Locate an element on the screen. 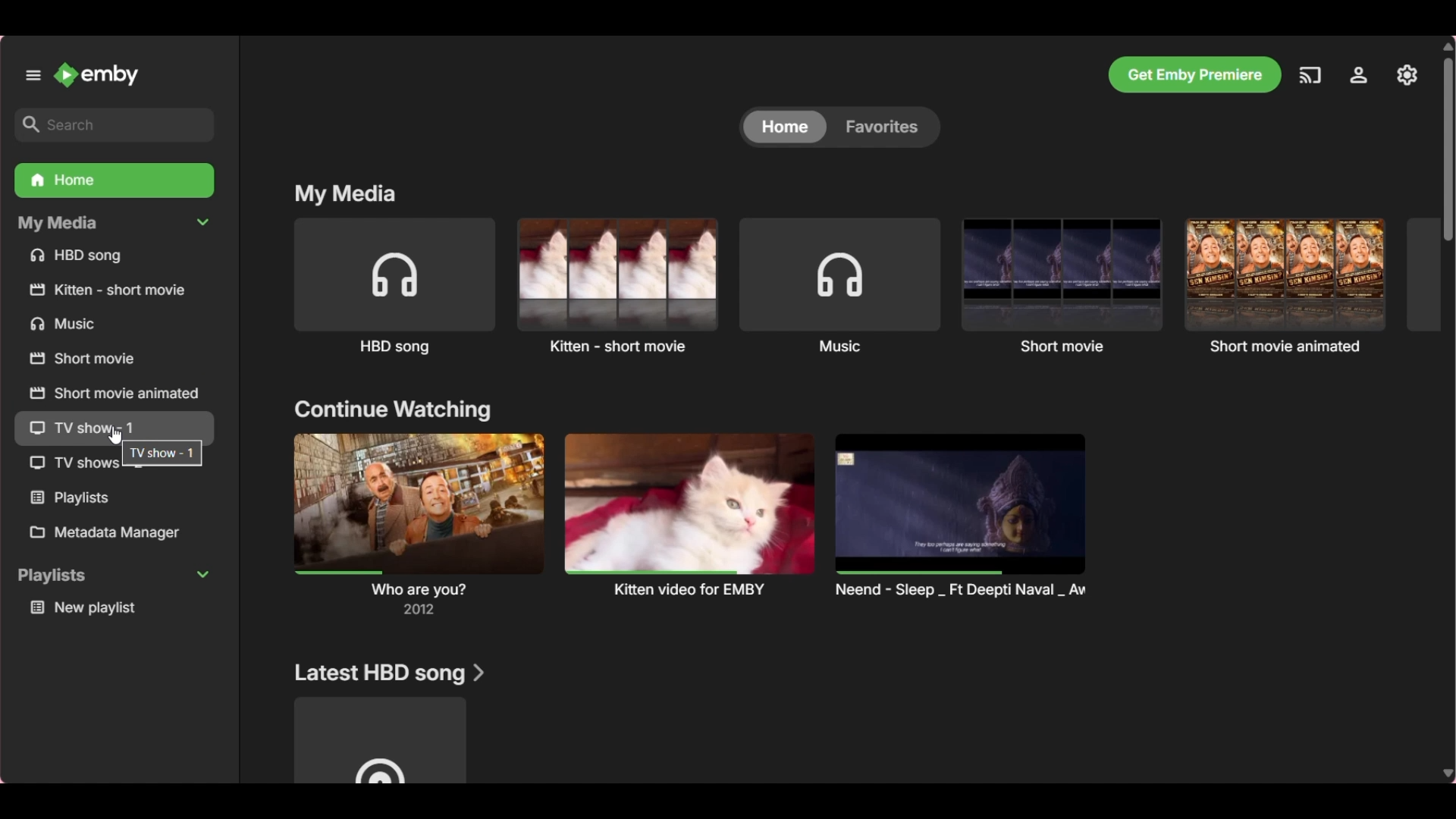  Cursor is located at coordinates (115, 435).